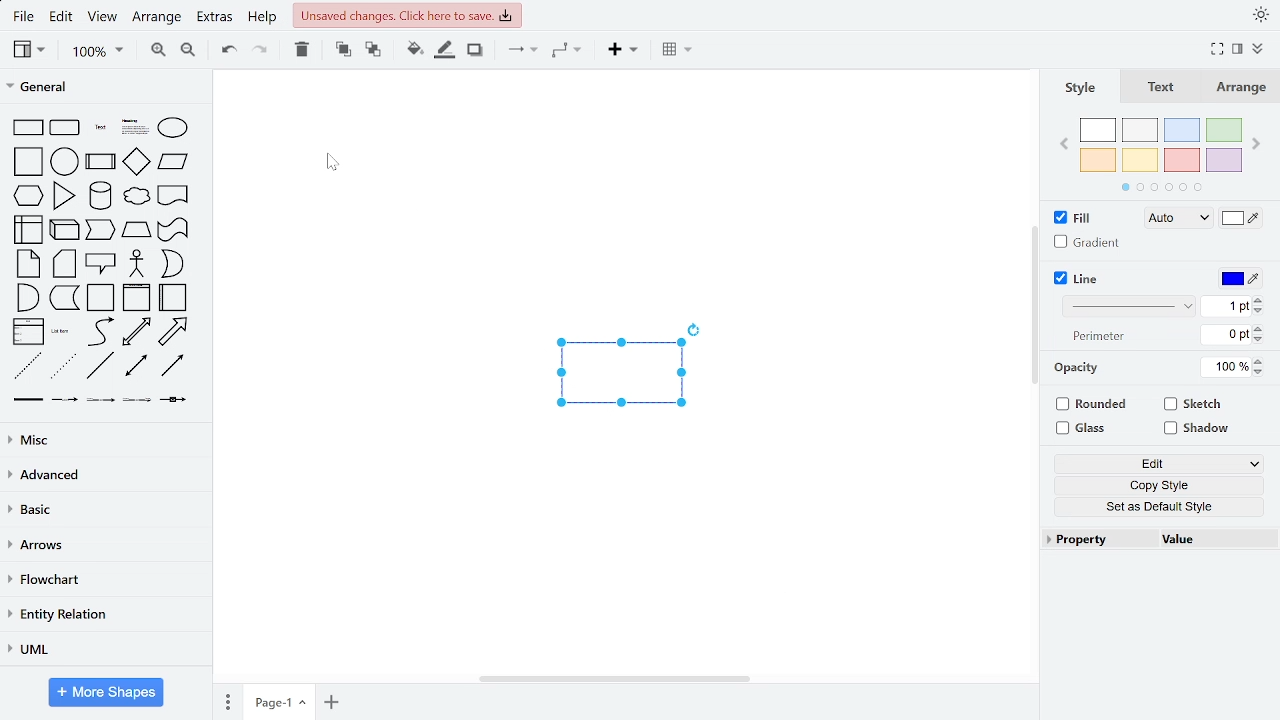 The image size is (1280, 720). What do you see at coordinates (30, 51) in the screenshot?
I see `view` at bounding box center [30, 51].